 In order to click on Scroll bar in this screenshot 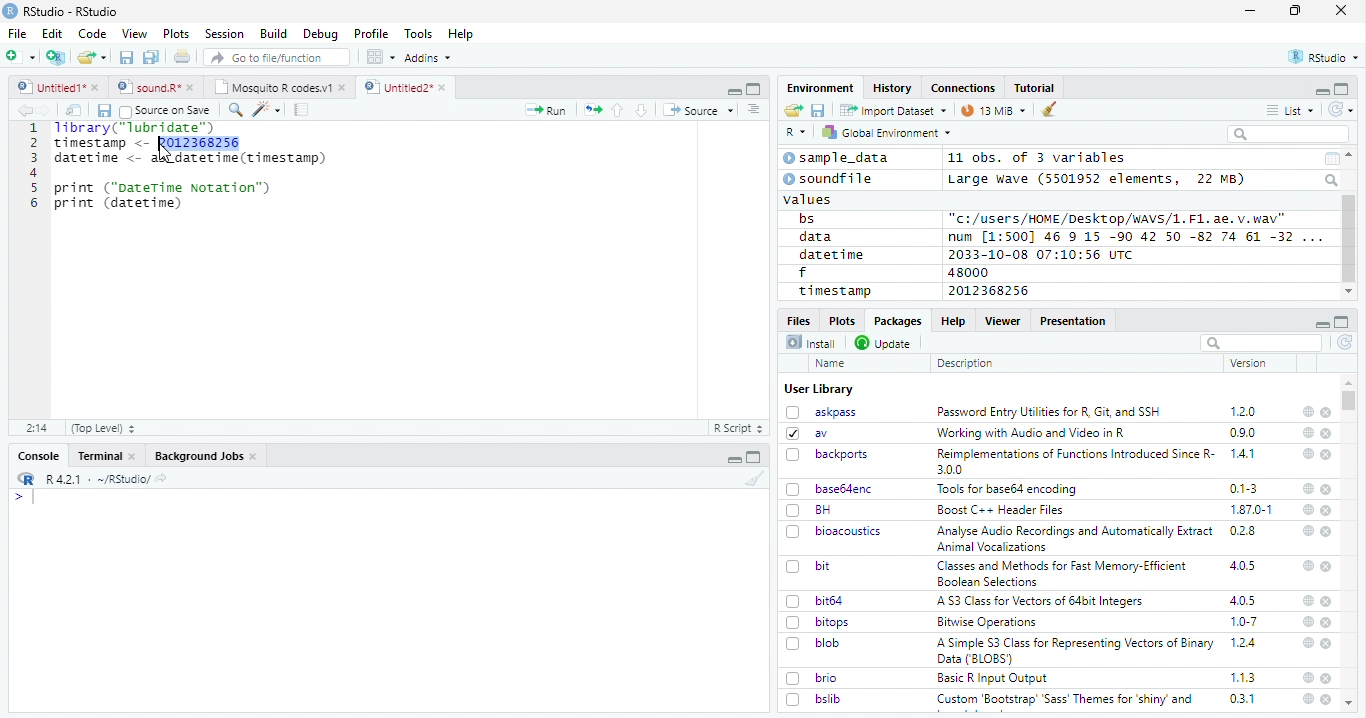, I will do `click(1350, 239)`.